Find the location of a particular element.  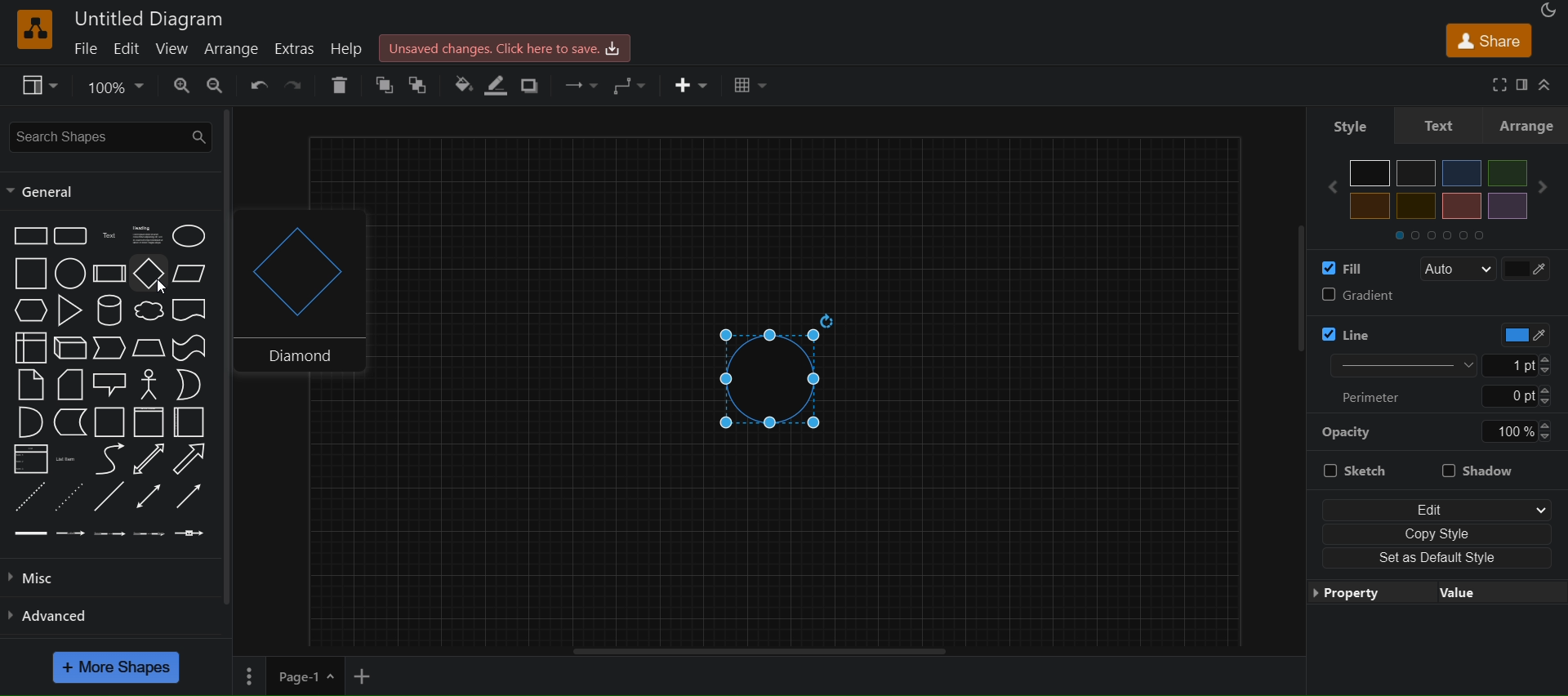

purple color is located at coordinates (1506, 205).